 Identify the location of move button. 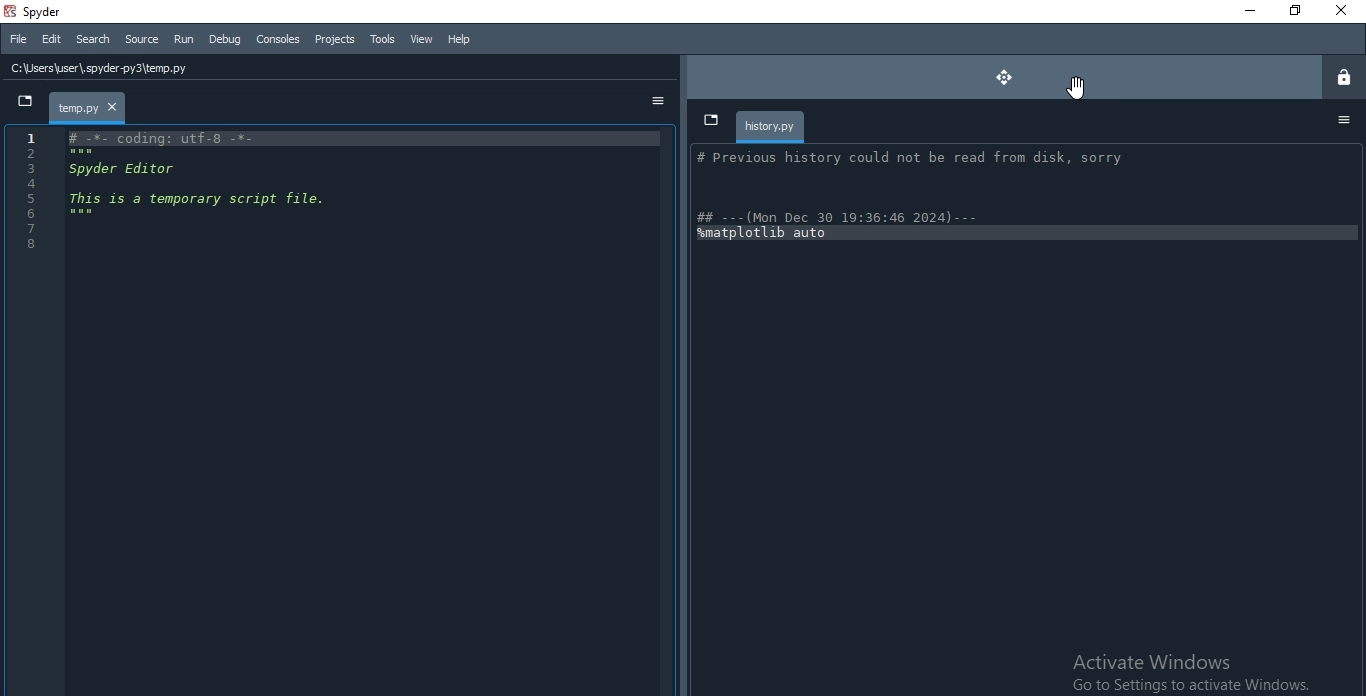
(1001, 78).